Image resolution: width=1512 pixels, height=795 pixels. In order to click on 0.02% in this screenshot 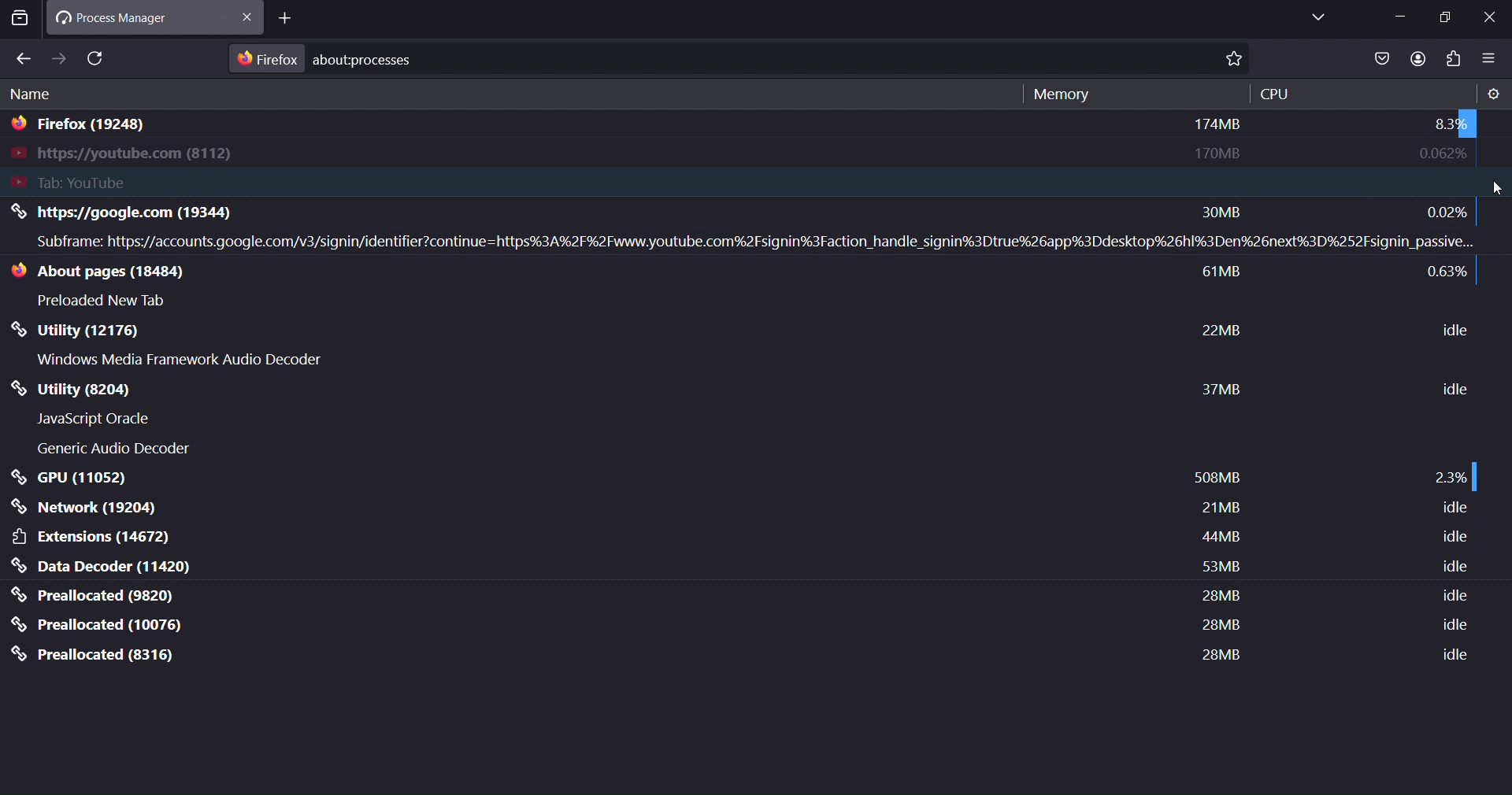, I will do `click(1443, 212)`.